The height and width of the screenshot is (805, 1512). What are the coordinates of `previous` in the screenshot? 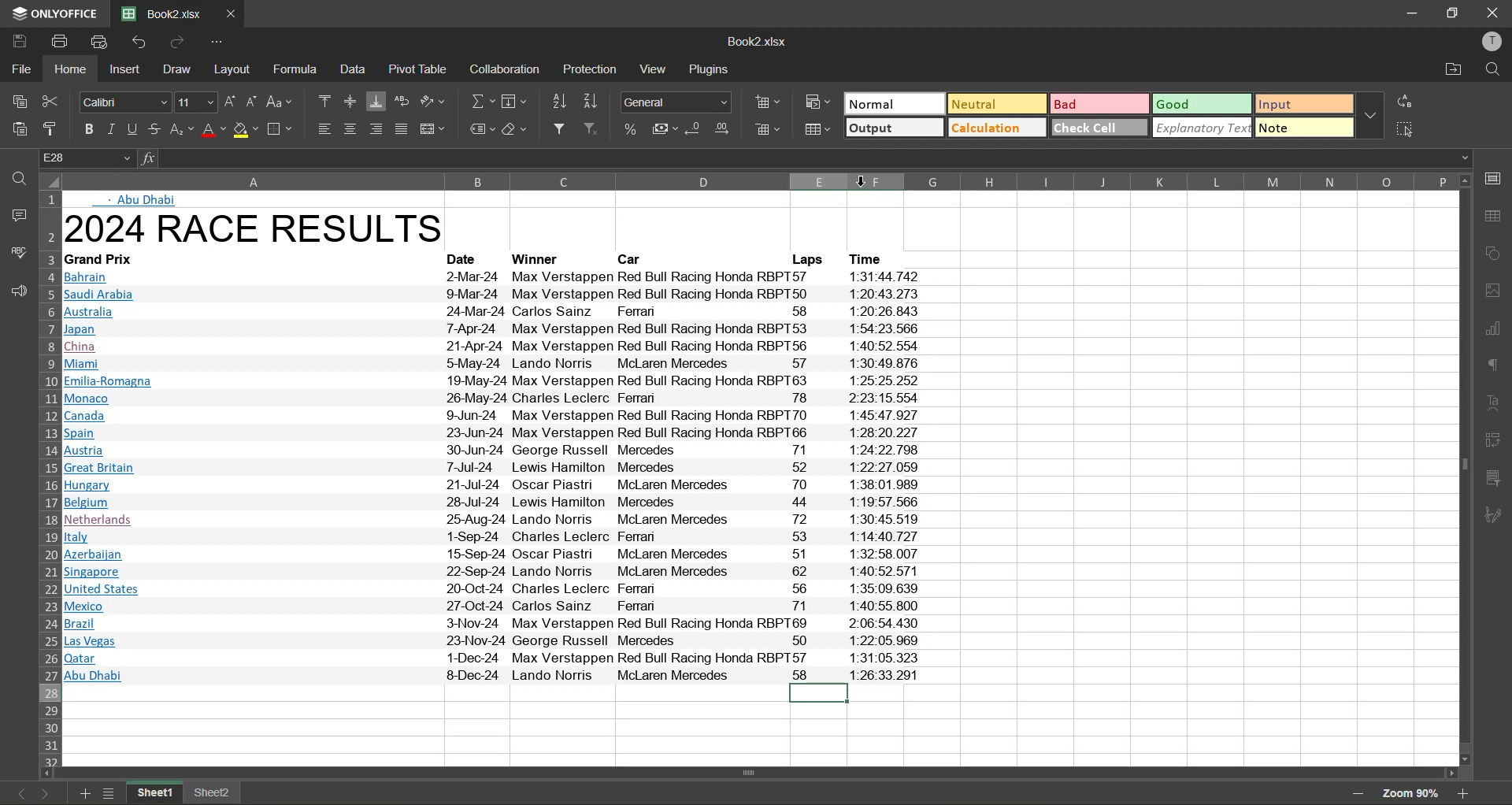 It's located at (13, 792).